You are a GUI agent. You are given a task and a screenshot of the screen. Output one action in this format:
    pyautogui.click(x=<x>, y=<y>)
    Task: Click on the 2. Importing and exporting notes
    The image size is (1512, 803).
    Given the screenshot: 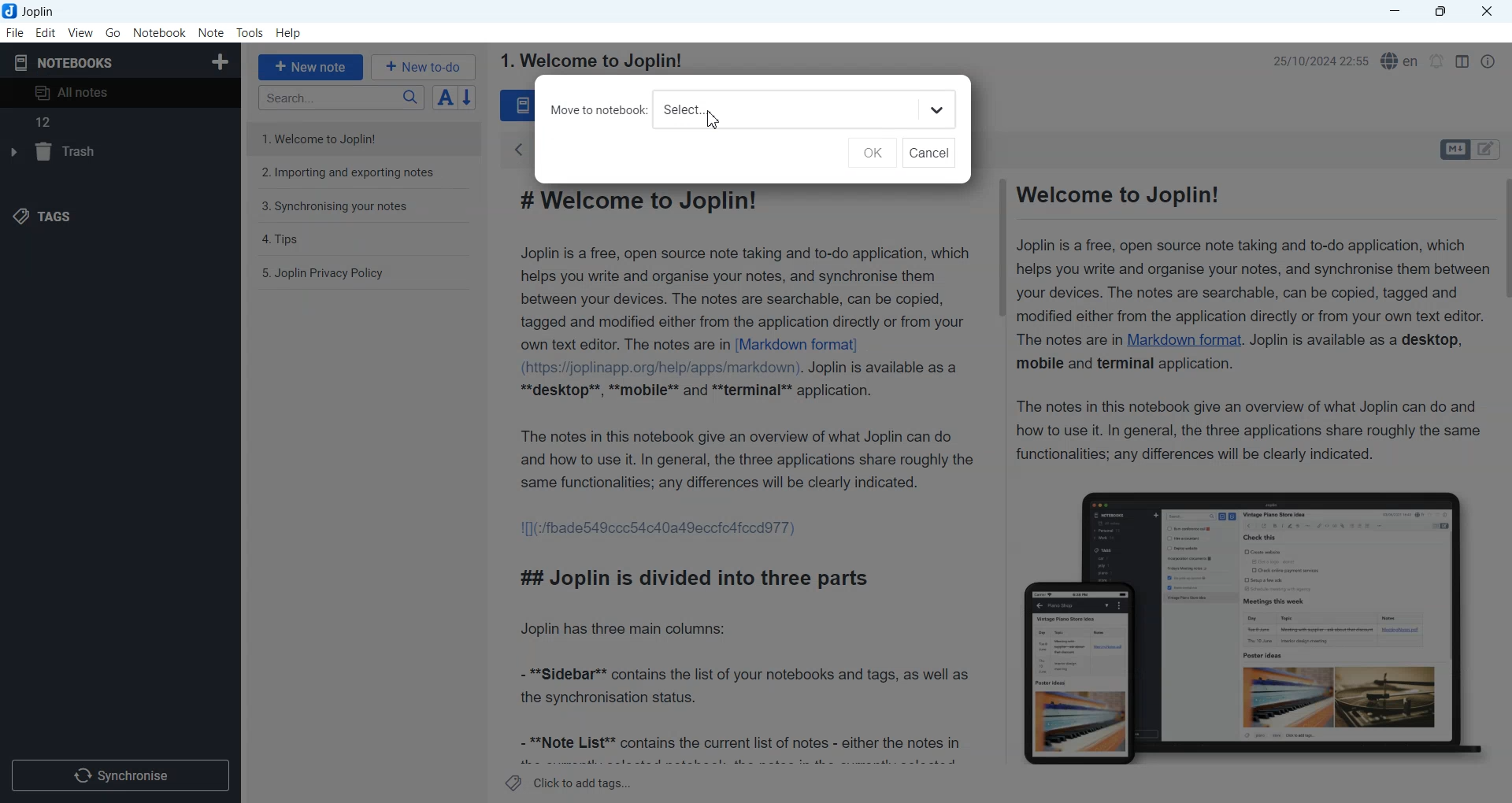 What is the action you would take?
    pyautogui.click(x=350, y=175)
    